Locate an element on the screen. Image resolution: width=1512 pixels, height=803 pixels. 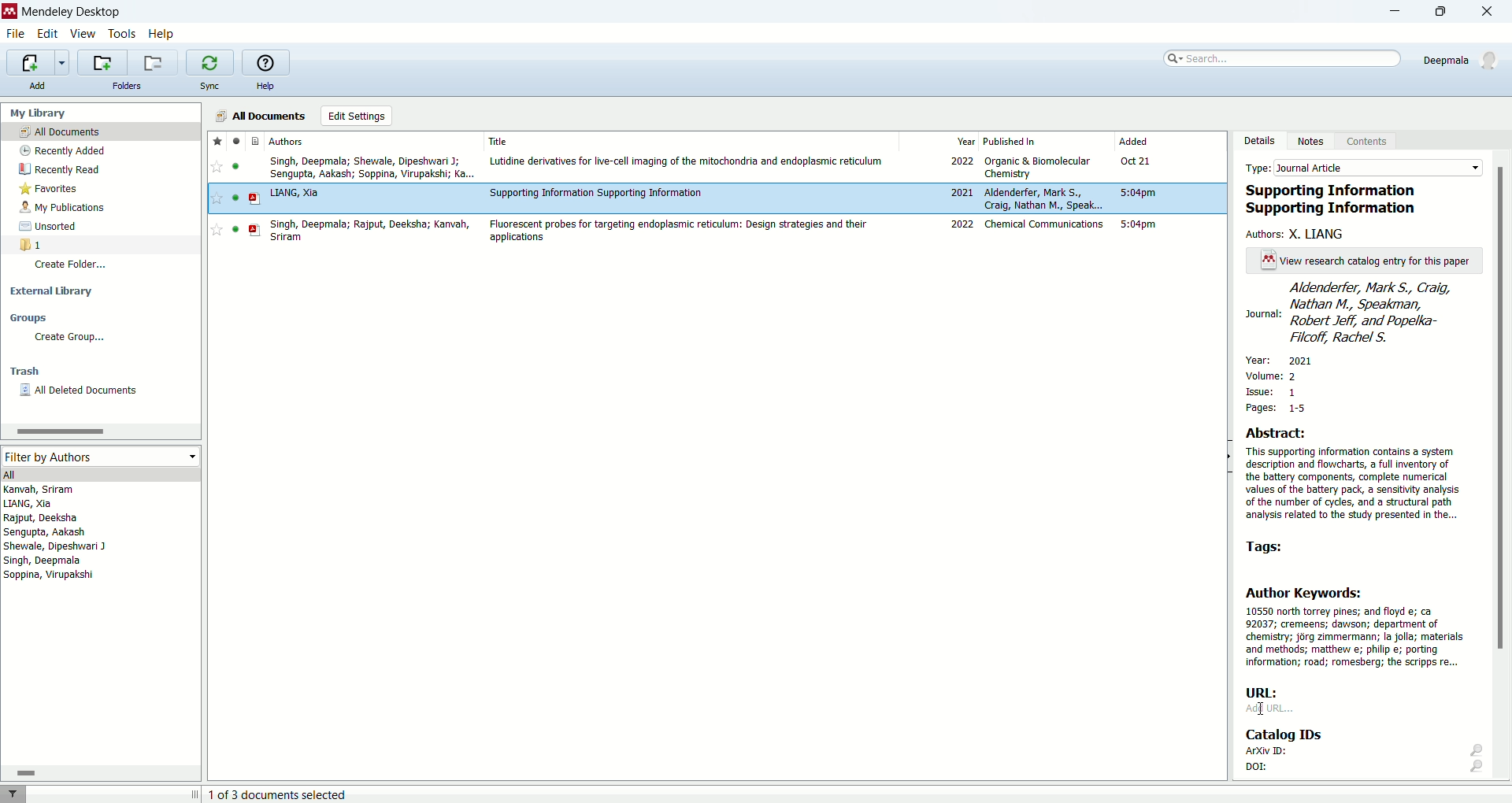
favorite is located at coordinates (216, 230).